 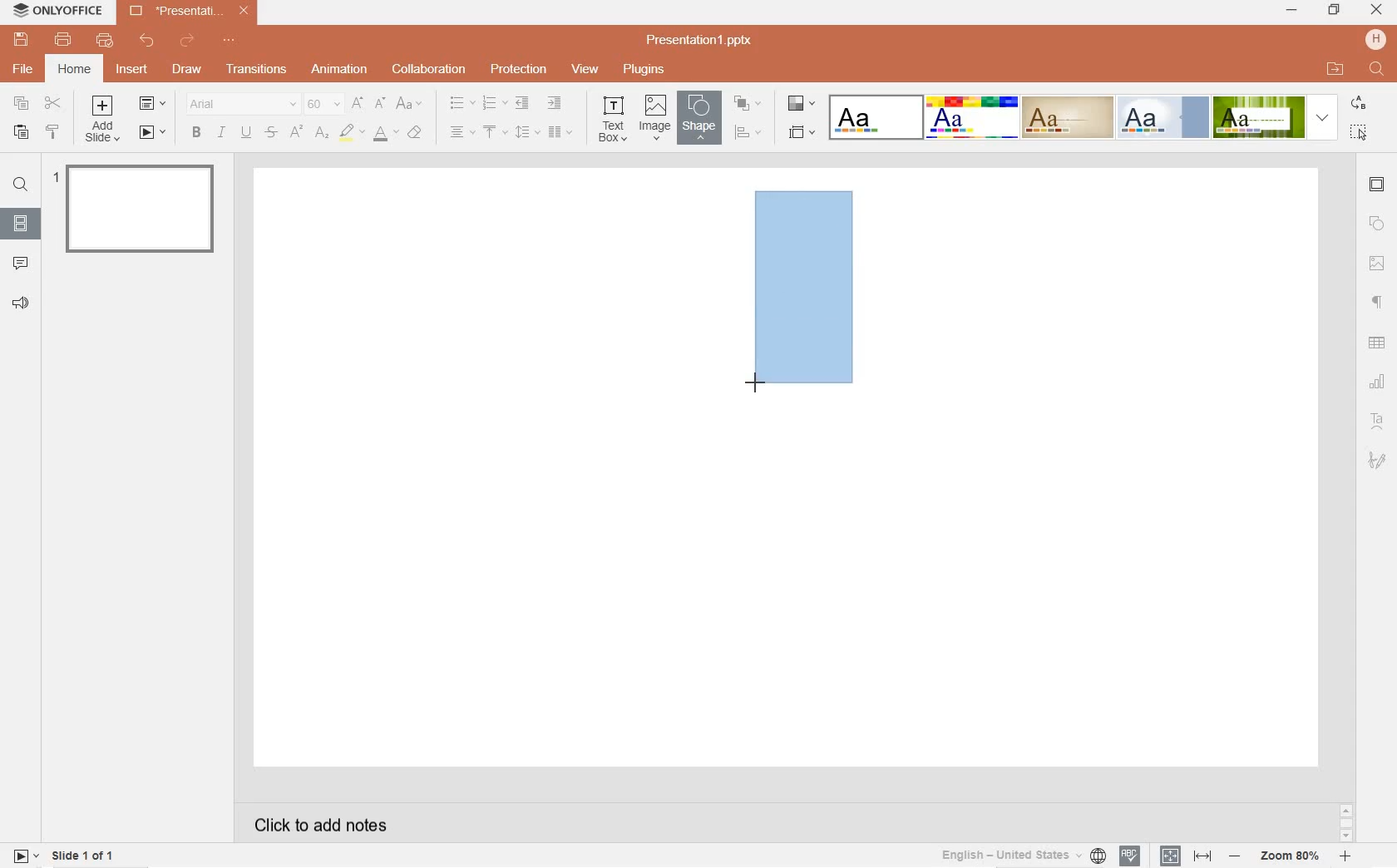 What do you see at coordinates (322, 106) in the screenshot?
I see `font size: 60` at bounding box center [322, 106].